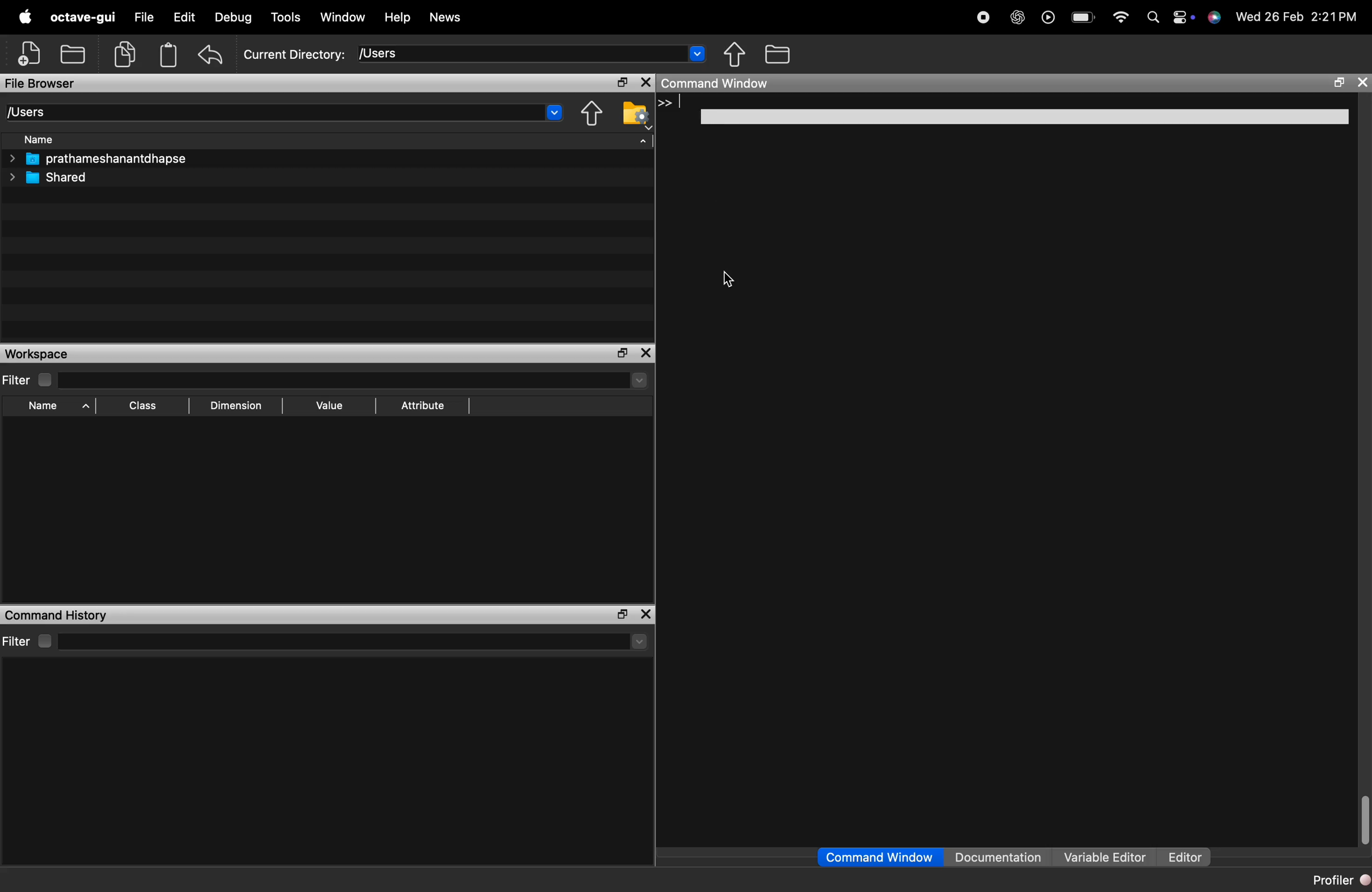 The width and height of the screenshot is (1372, 892). What do you see at coordinates (126, 58) in the screenshot?
I see `copy` at bounding box center [126, 58].